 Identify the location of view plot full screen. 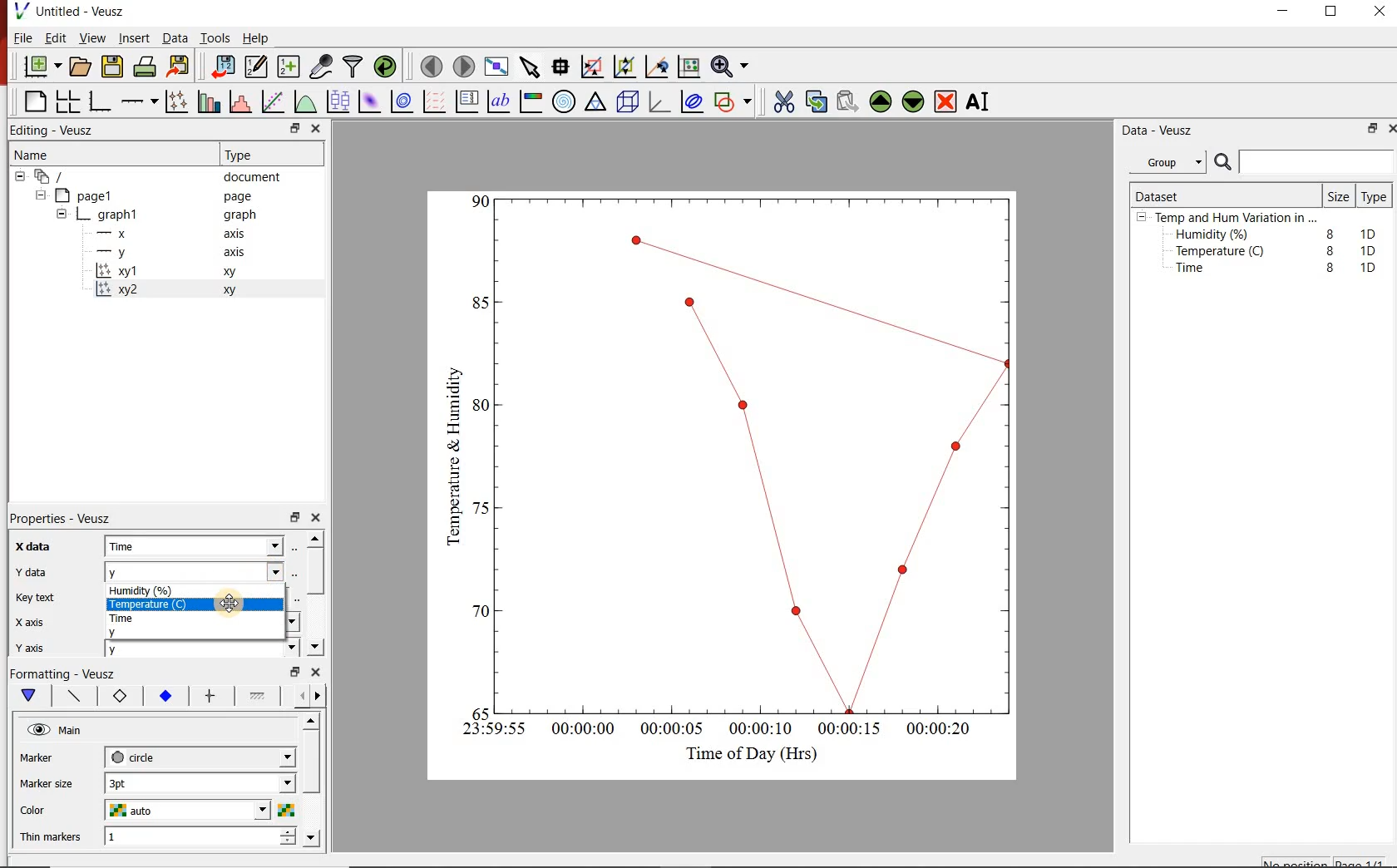
(497, 67).